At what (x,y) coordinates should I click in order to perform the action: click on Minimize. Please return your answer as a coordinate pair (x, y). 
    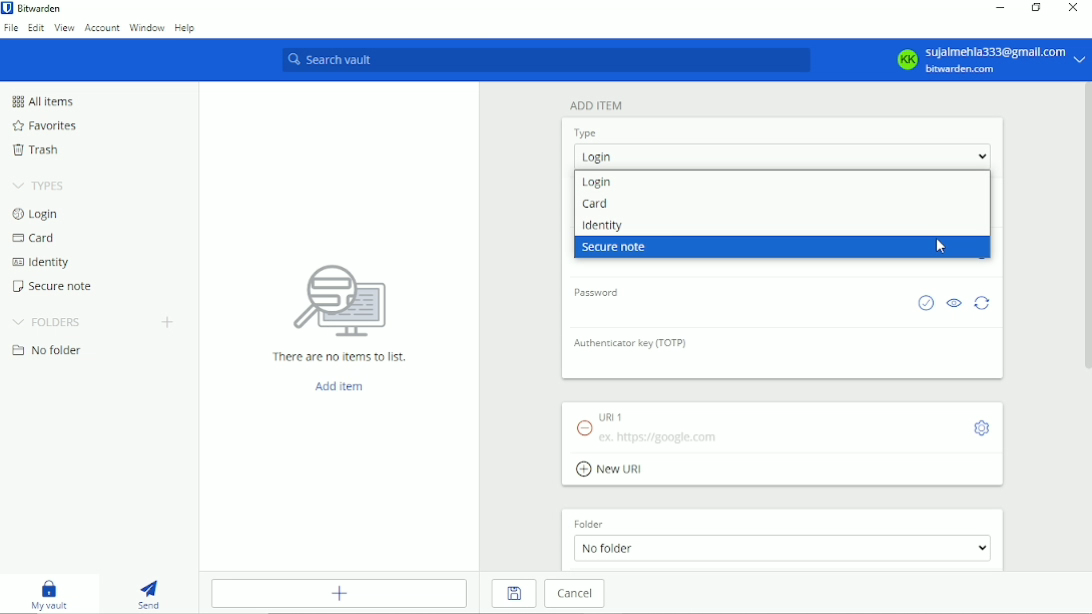
    Looking at the image, I should click on (998, 9).